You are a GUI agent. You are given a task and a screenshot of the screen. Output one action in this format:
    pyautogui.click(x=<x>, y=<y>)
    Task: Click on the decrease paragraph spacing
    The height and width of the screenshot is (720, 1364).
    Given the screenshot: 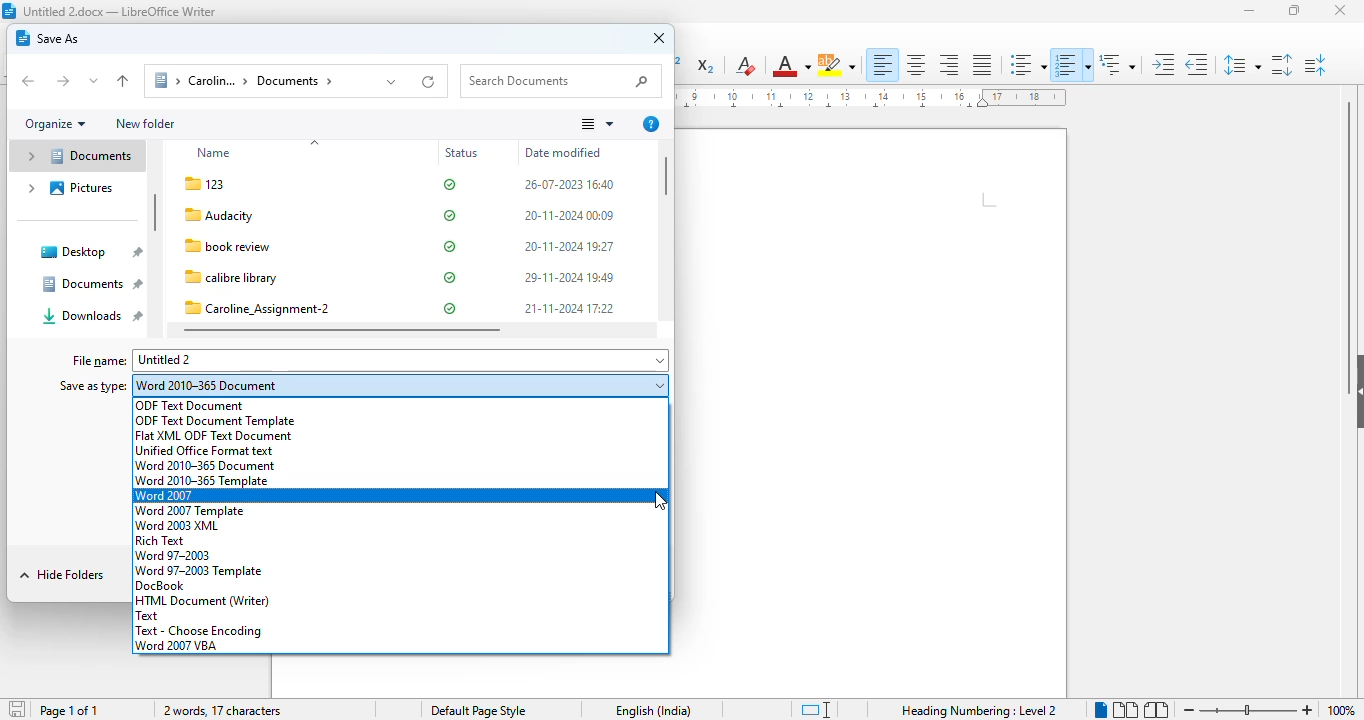 What is the action you would take?
    pyautogui.click(x=1316, y=65)
    